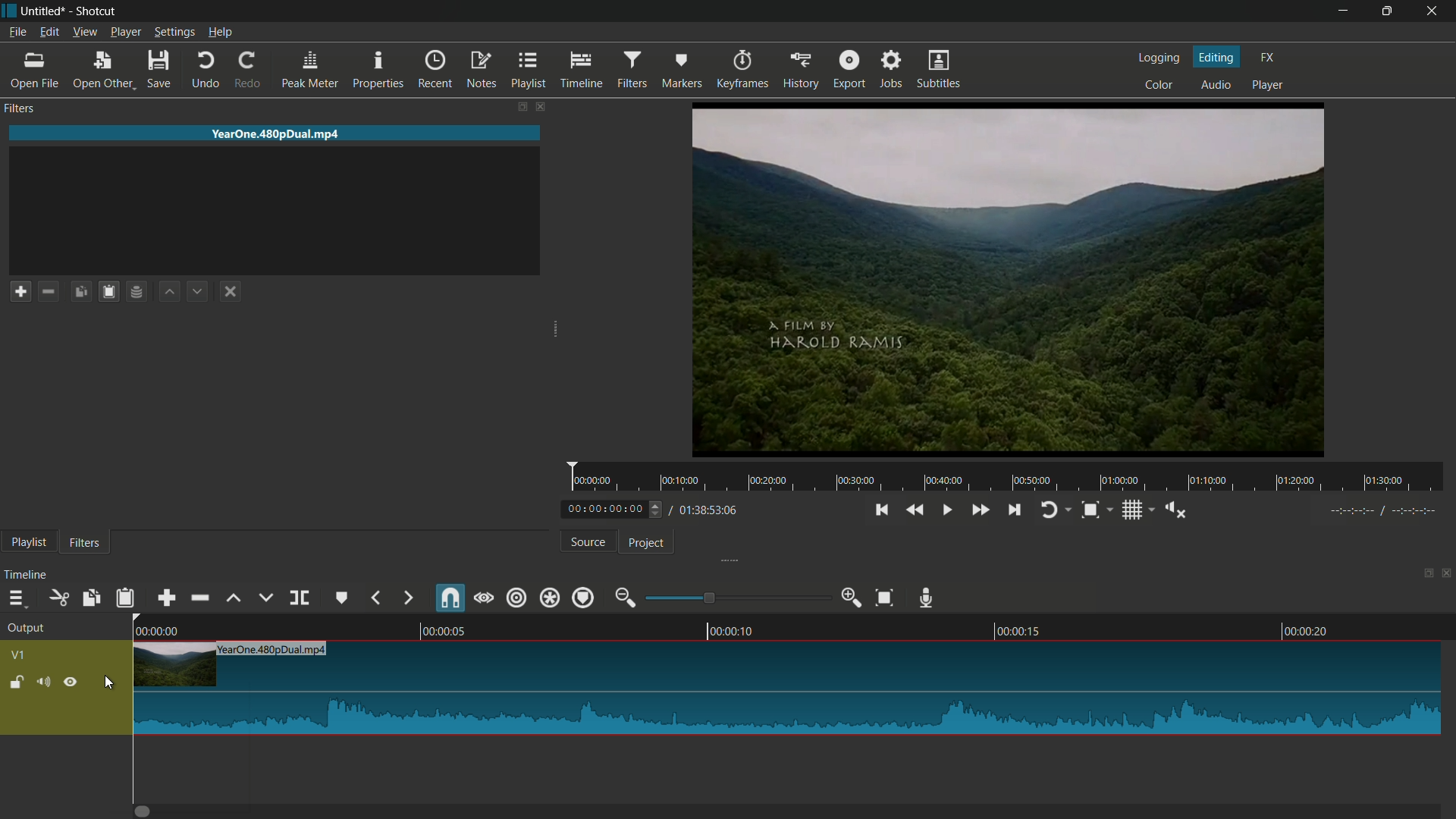  Describe the element at coordinates (124, 597) in the screenshot. I see `paste` at that location.